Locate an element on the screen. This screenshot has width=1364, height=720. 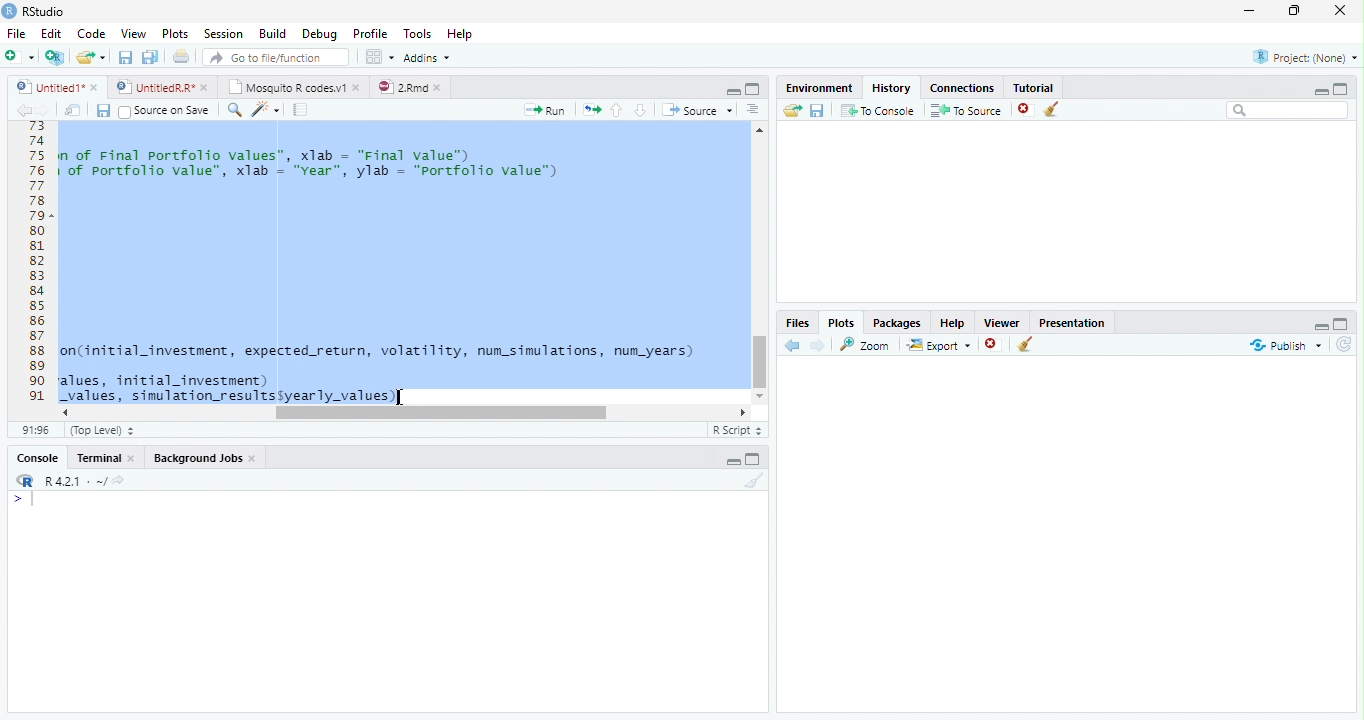
styedi® © © Untite is located at coordinates (162, 87).